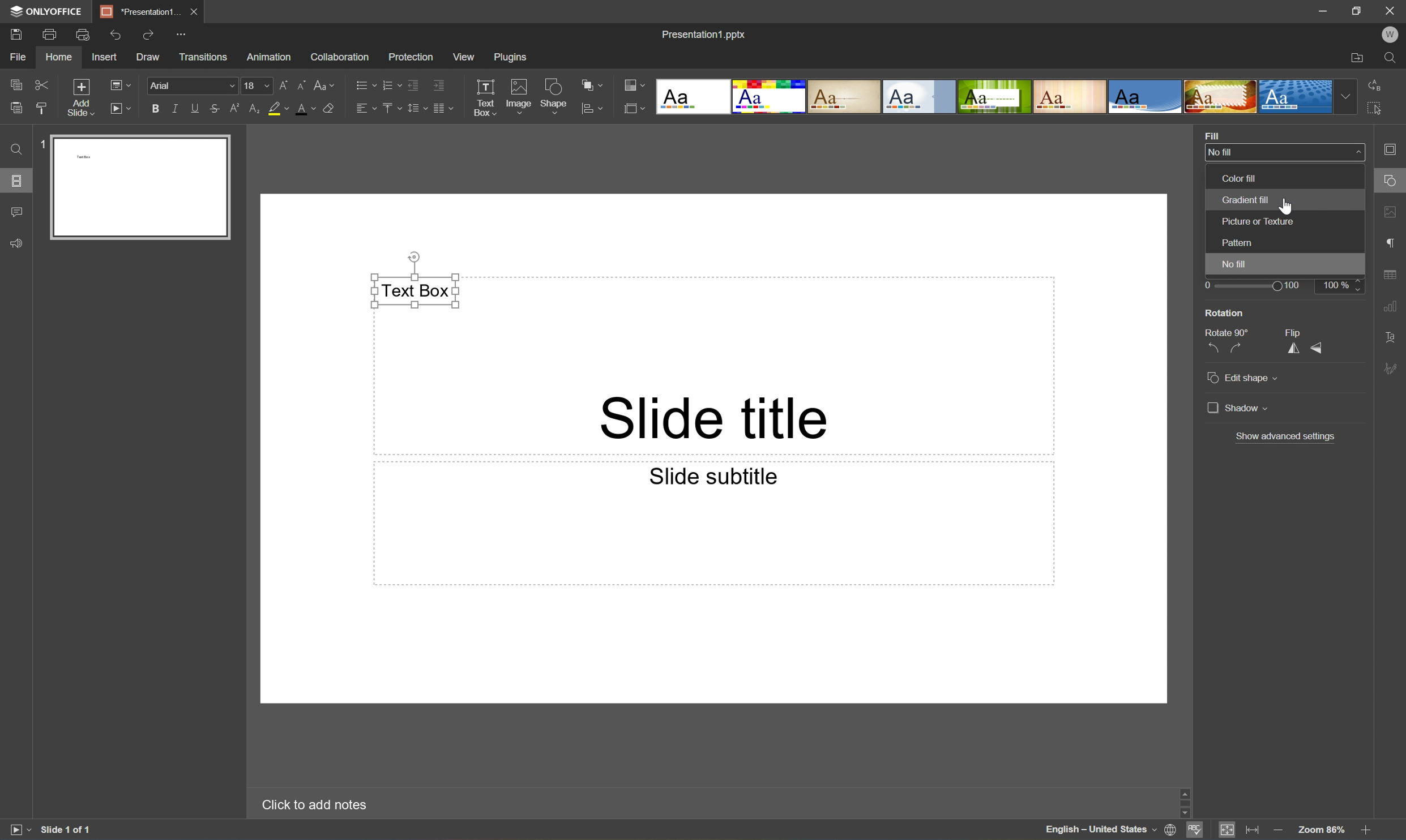 The height and width of the screenshot is (840, 1406). I want to click on Save, so click(15, 35).